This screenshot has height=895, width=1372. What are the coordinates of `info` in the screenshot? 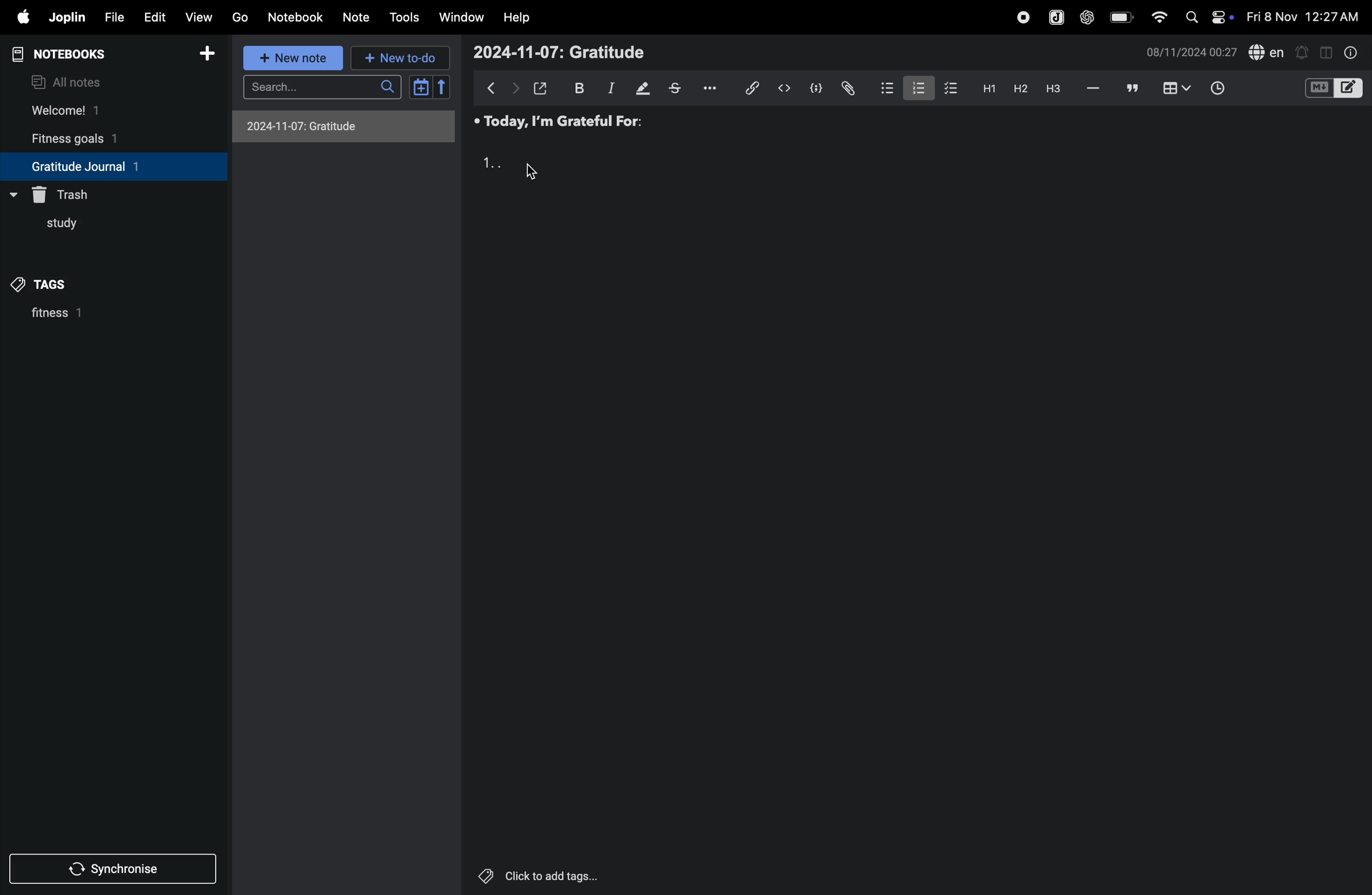 It's located at (1352, 54).